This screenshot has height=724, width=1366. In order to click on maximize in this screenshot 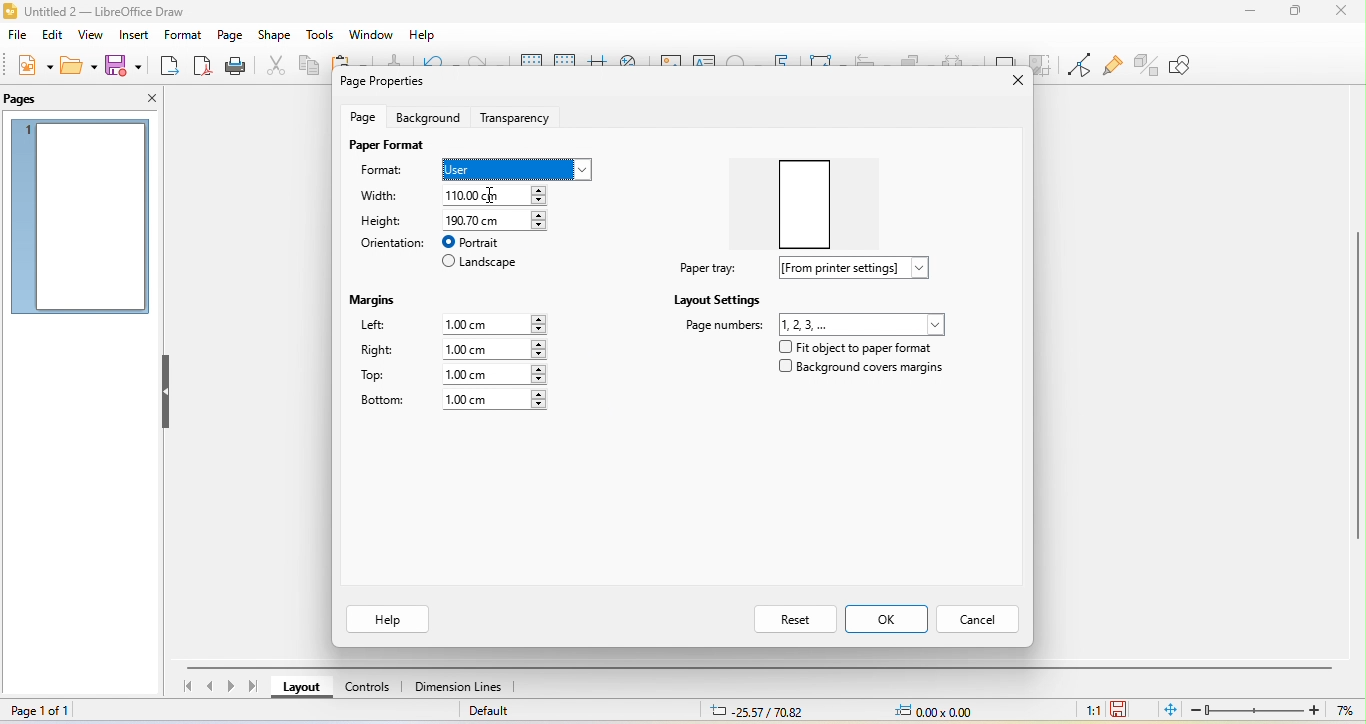, I will do `click(1294, 12)`.